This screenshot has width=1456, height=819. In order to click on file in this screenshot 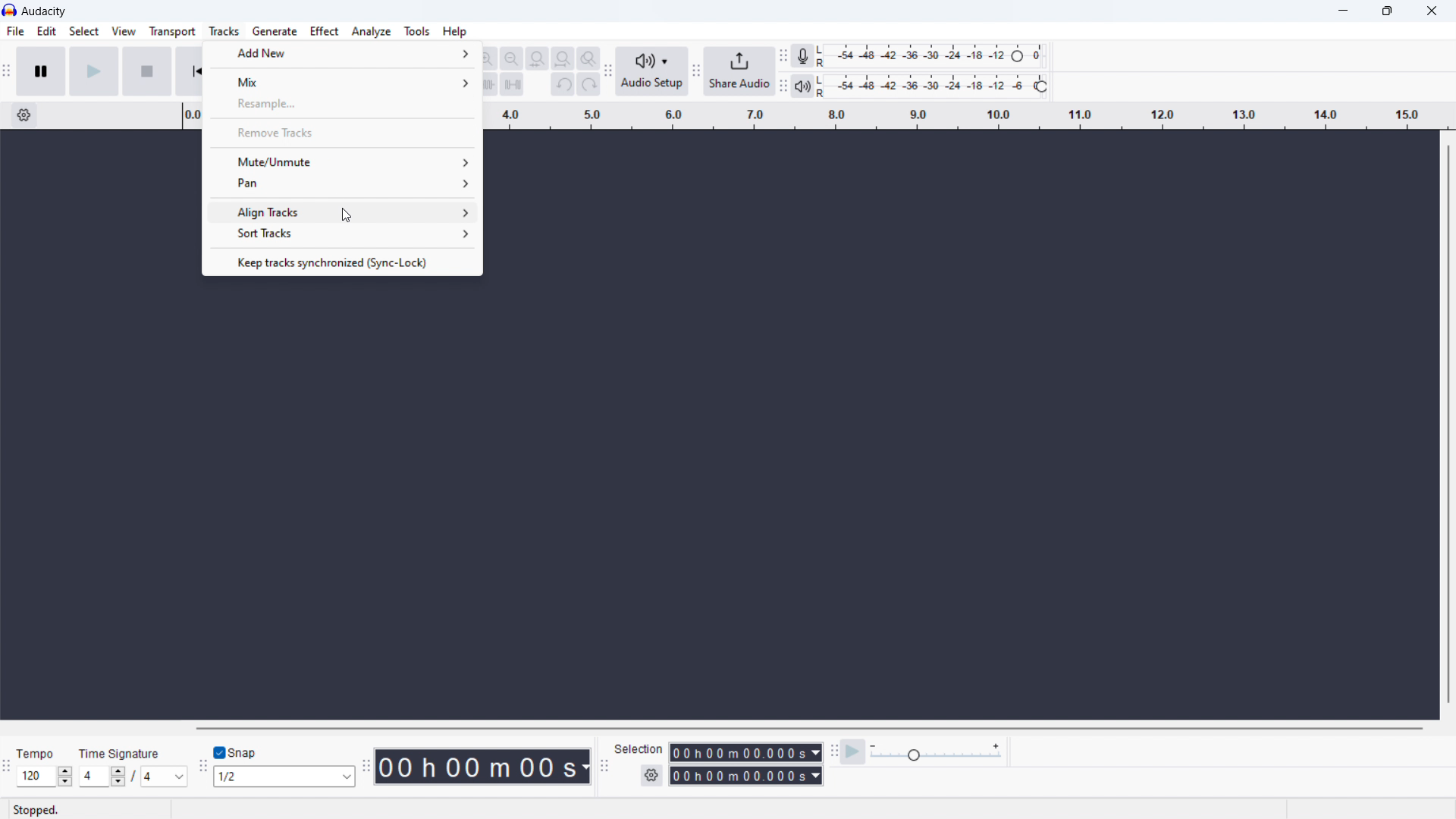, I will do `click(15, 32)`.